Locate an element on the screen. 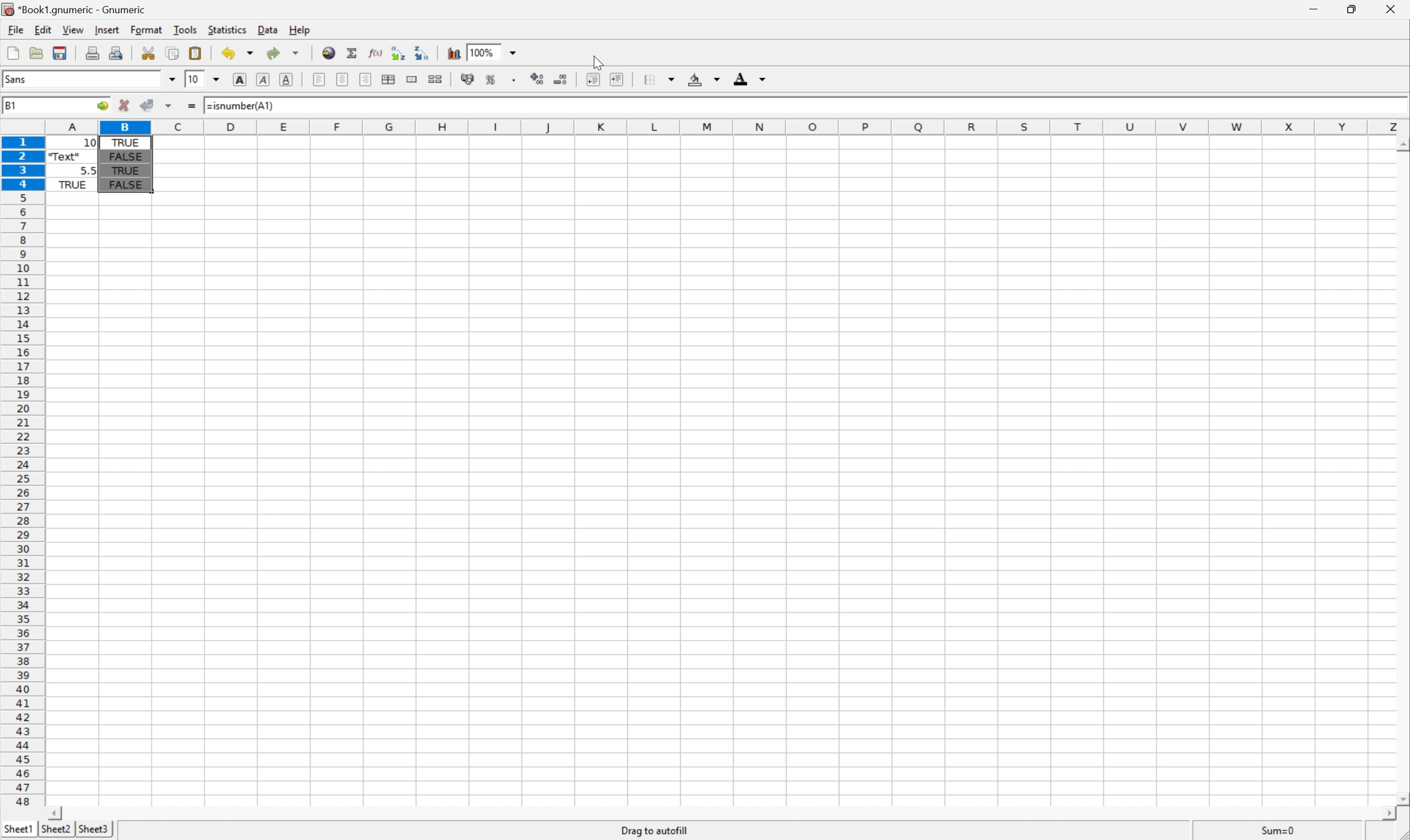 The image size is (1410, 840). Edit function in current cell is located at coordinates (377, 53).